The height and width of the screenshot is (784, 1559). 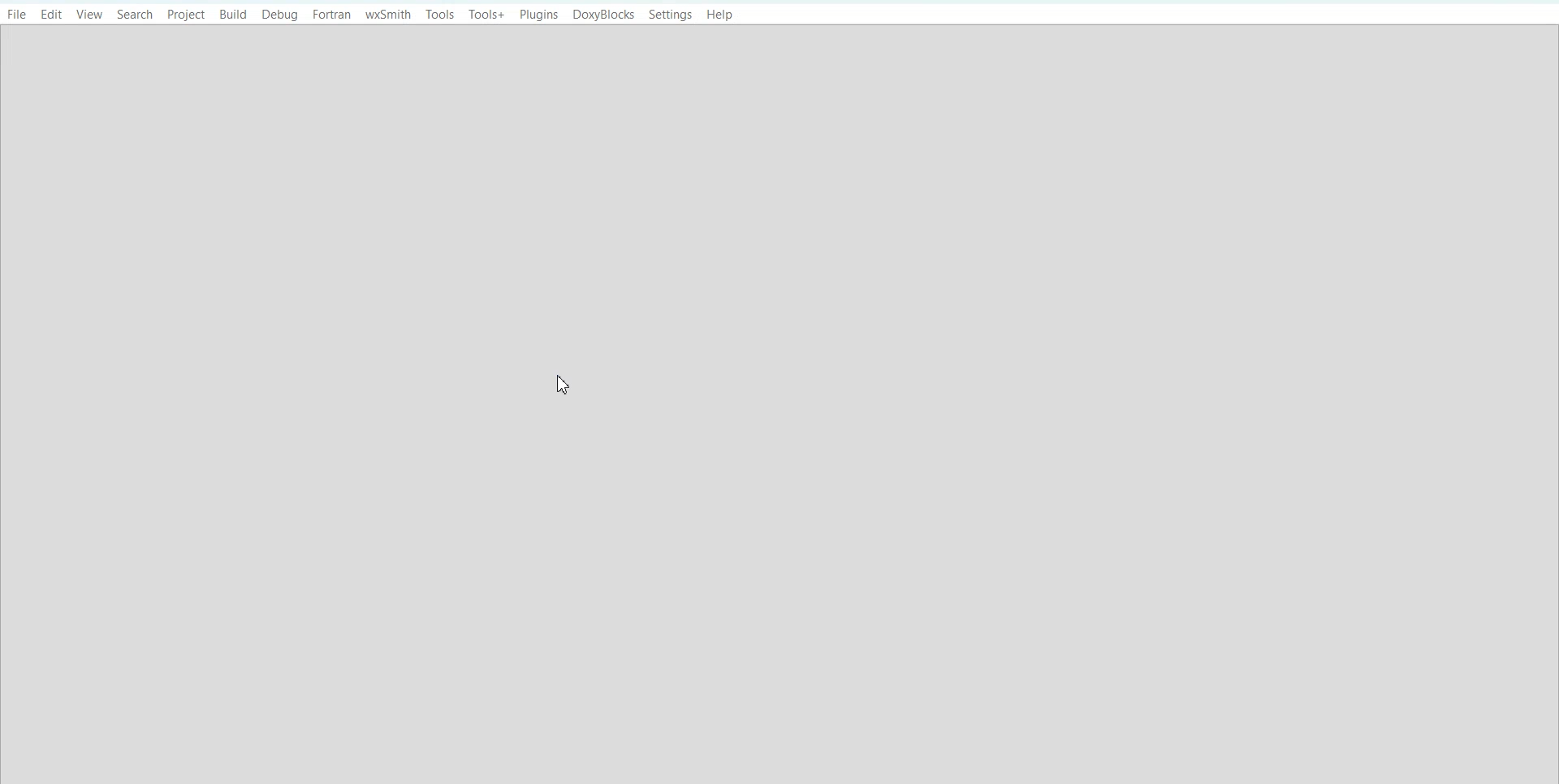 I want to click on Build, so click(x=233, y=15).